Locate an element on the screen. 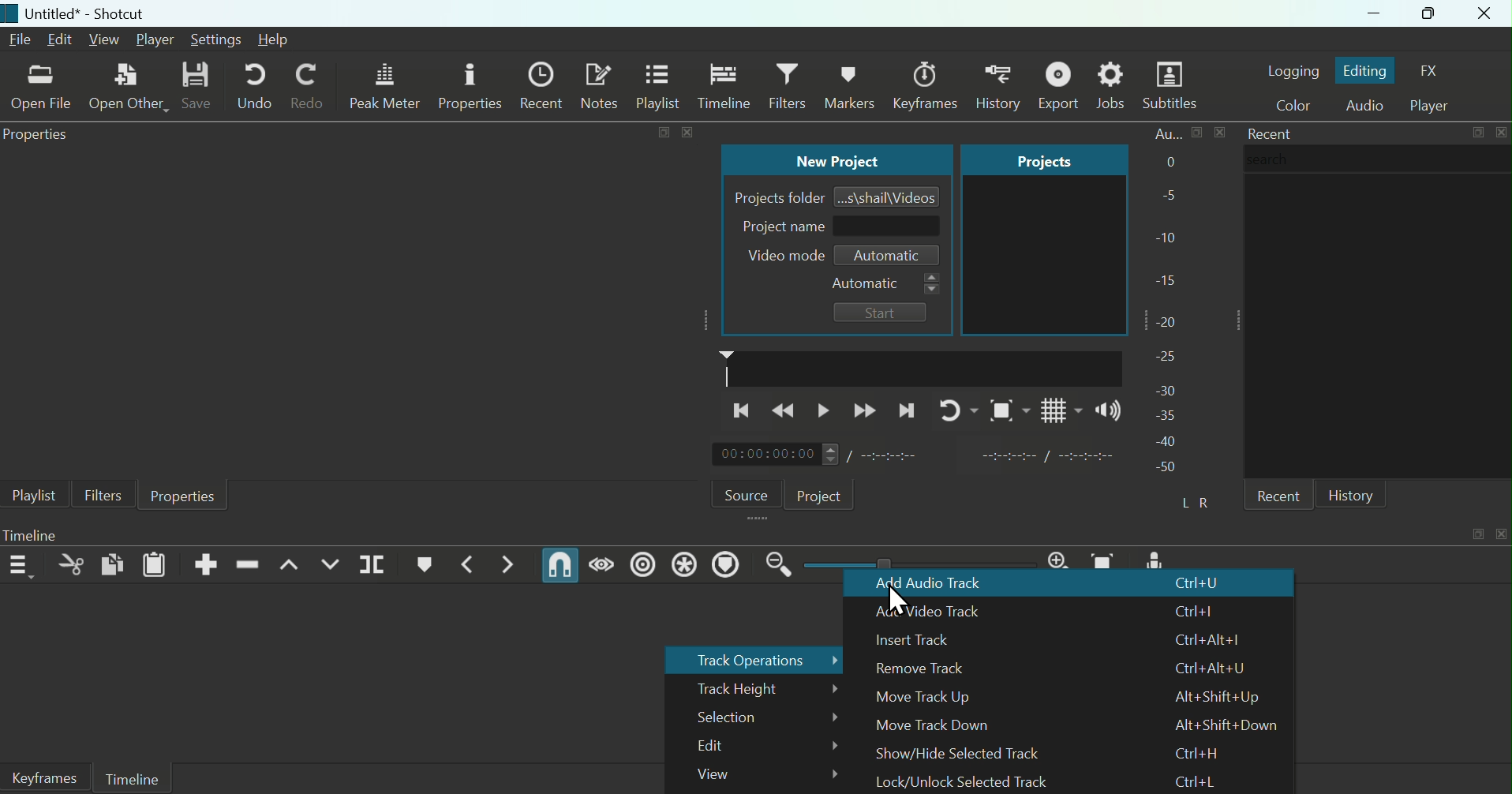 The height and width of the screenshot is (794, 1512). Properties is located at coordinates (39, 136).